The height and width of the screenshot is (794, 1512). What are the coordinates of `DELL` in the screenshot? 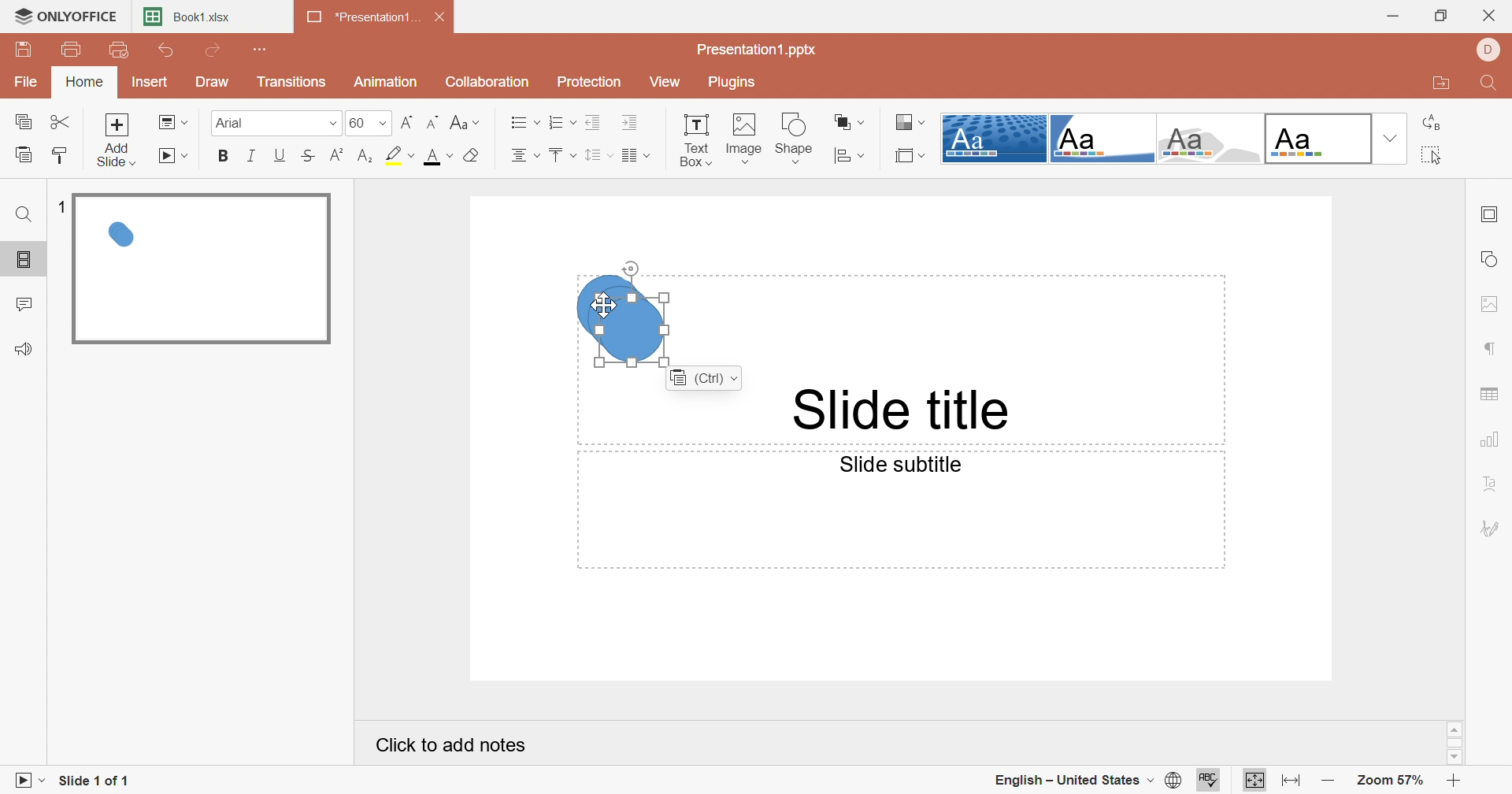 It's located at (1489, 49).